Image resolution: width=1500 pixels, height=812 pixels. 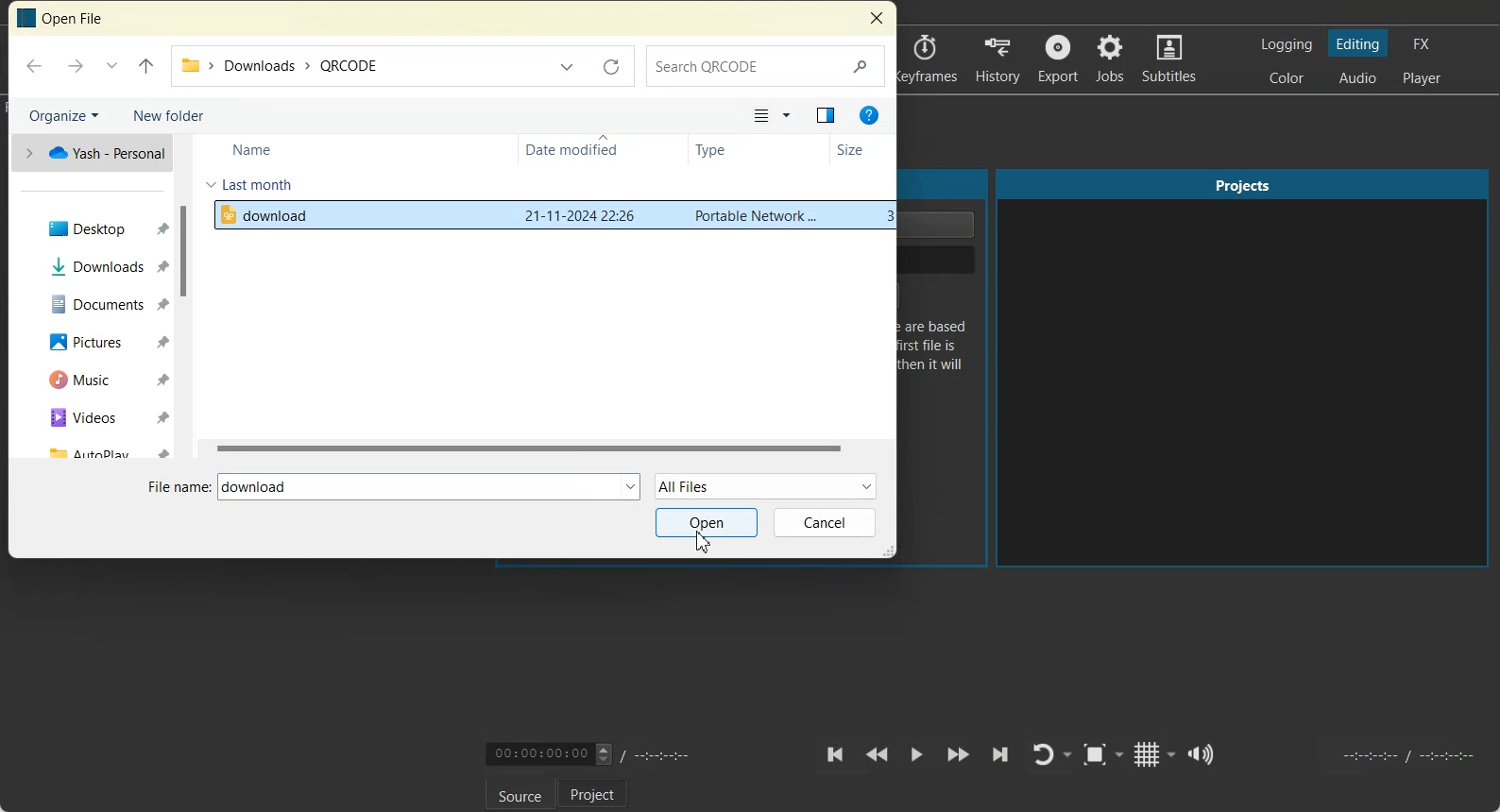 What do you see at coordinates (548, 216) in the screenshot?
I see `File selected` at bounding box center [548, 216].